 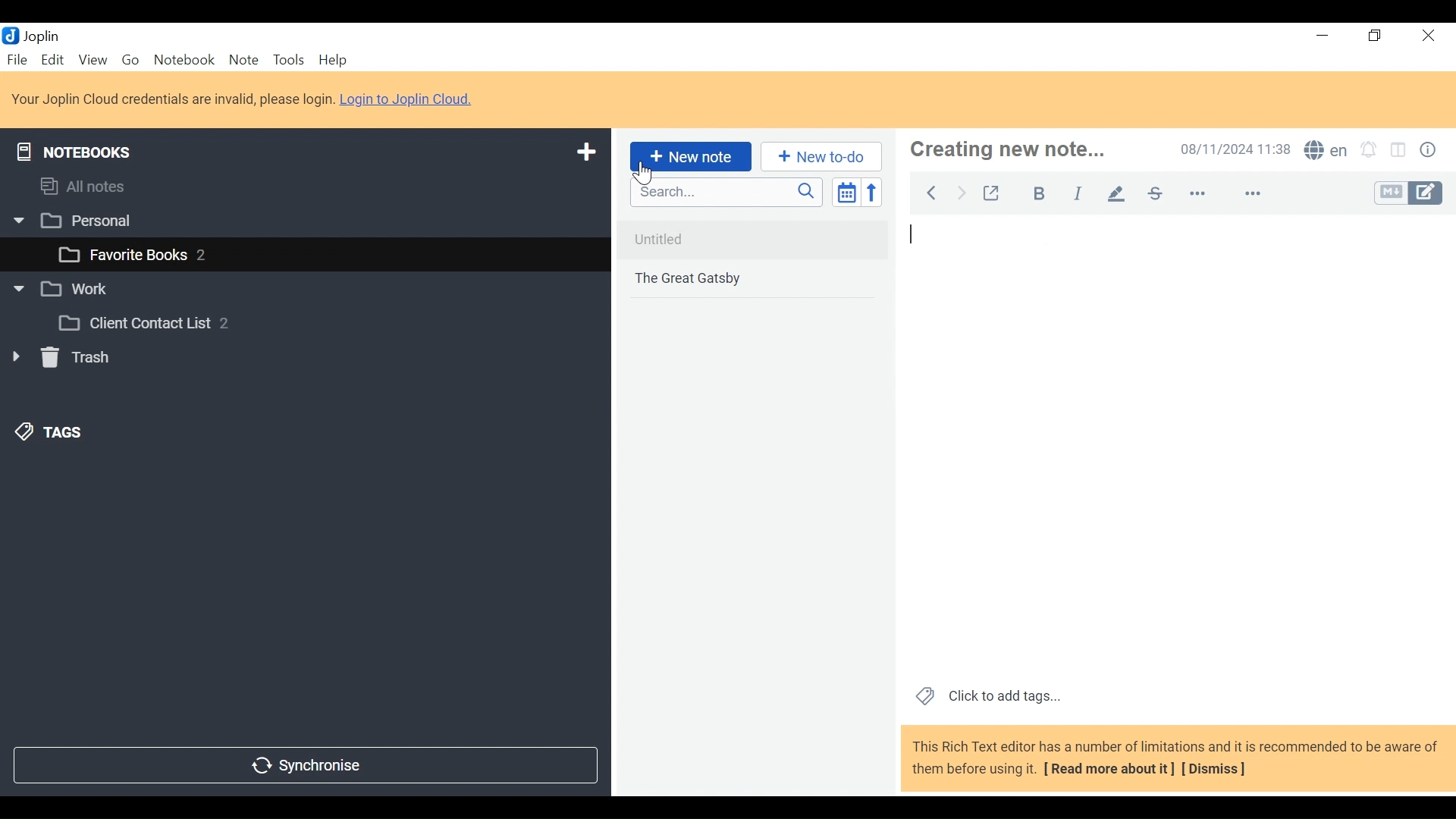 I want to click on Notebooks, so click(x=72, y=152).